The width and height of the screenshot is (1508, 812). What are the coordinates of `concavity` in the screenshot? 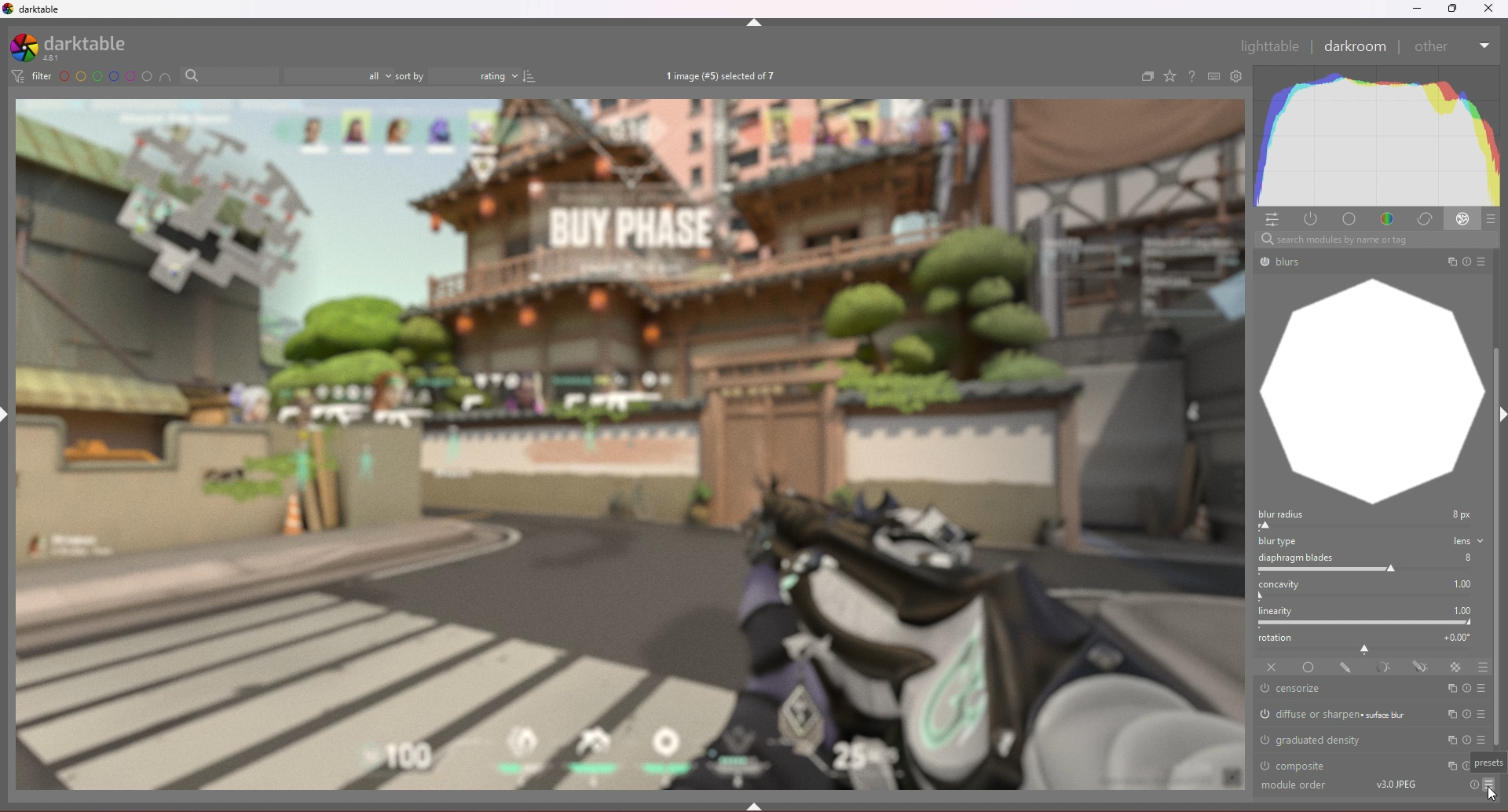 It's located at (1371, 590).